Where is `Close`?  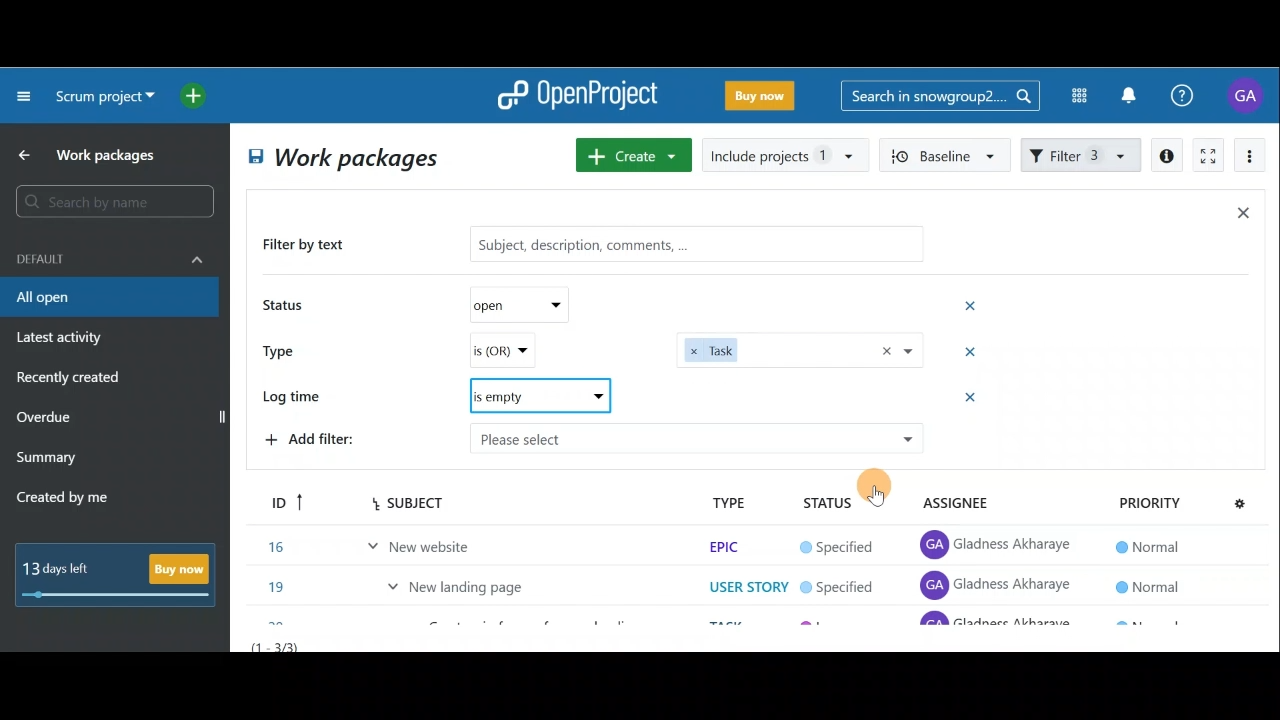
Close is located at coordinates (1242, 217).